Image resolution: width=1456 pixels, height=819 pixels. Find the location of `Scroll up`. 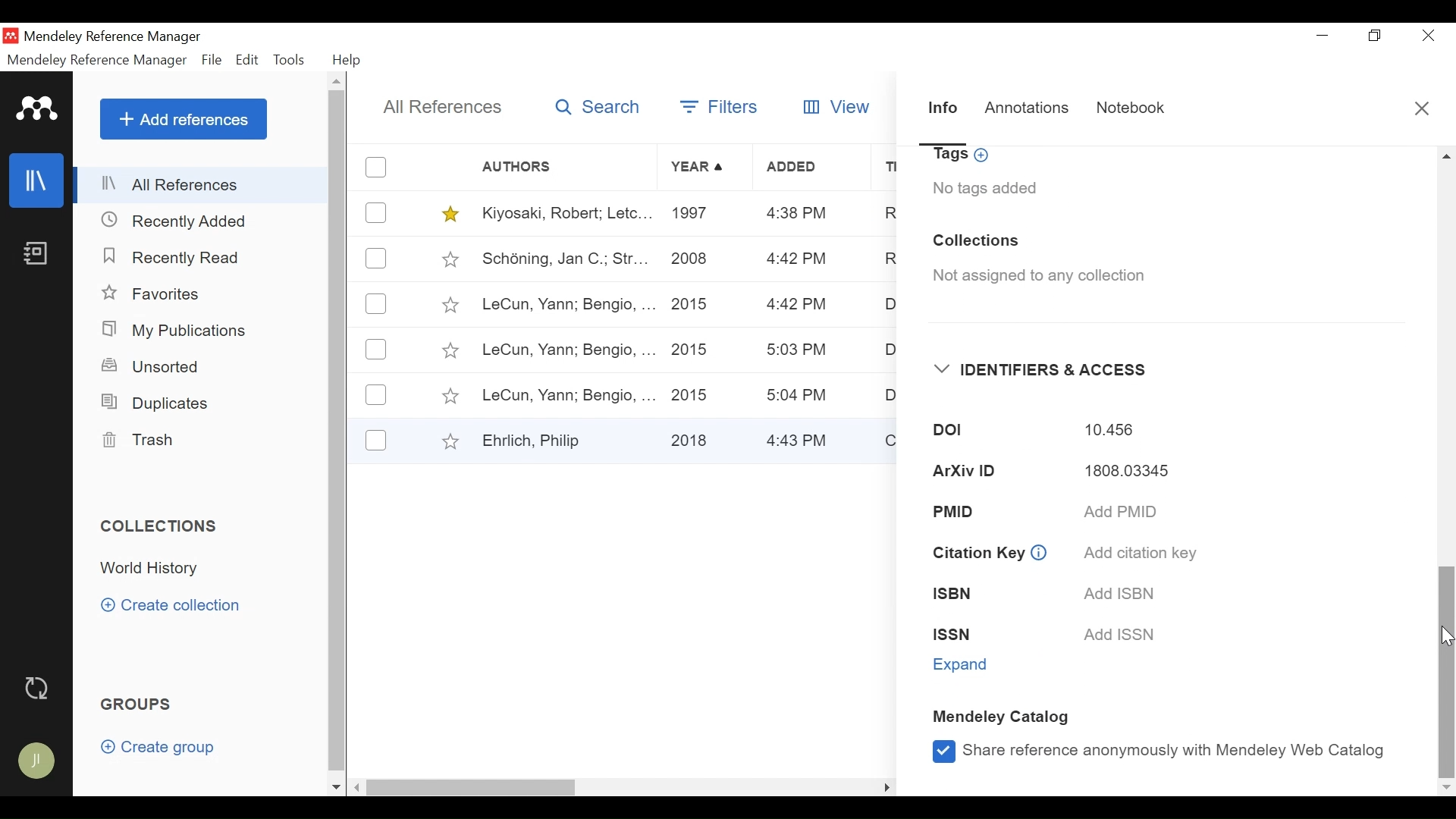

Scroll up is located at coordinates (1447, 155).